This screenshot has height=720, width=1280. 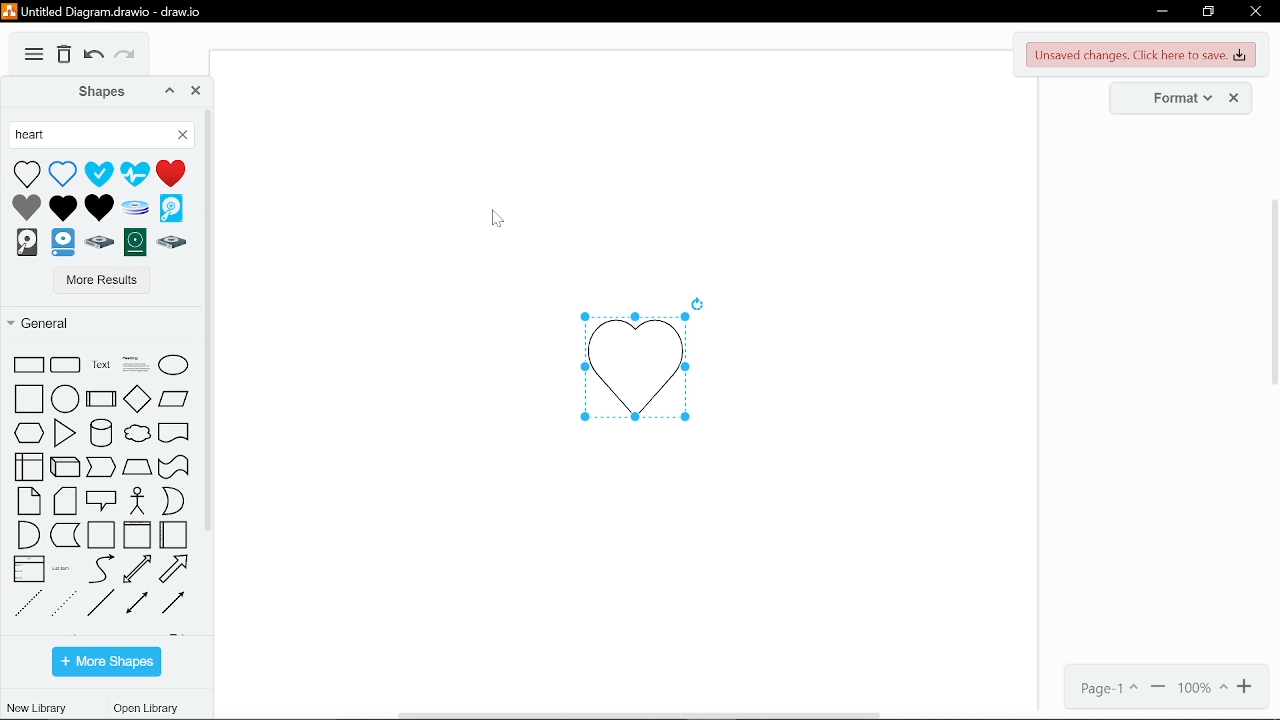 I want to click on tape, so click(x=175, y=466).